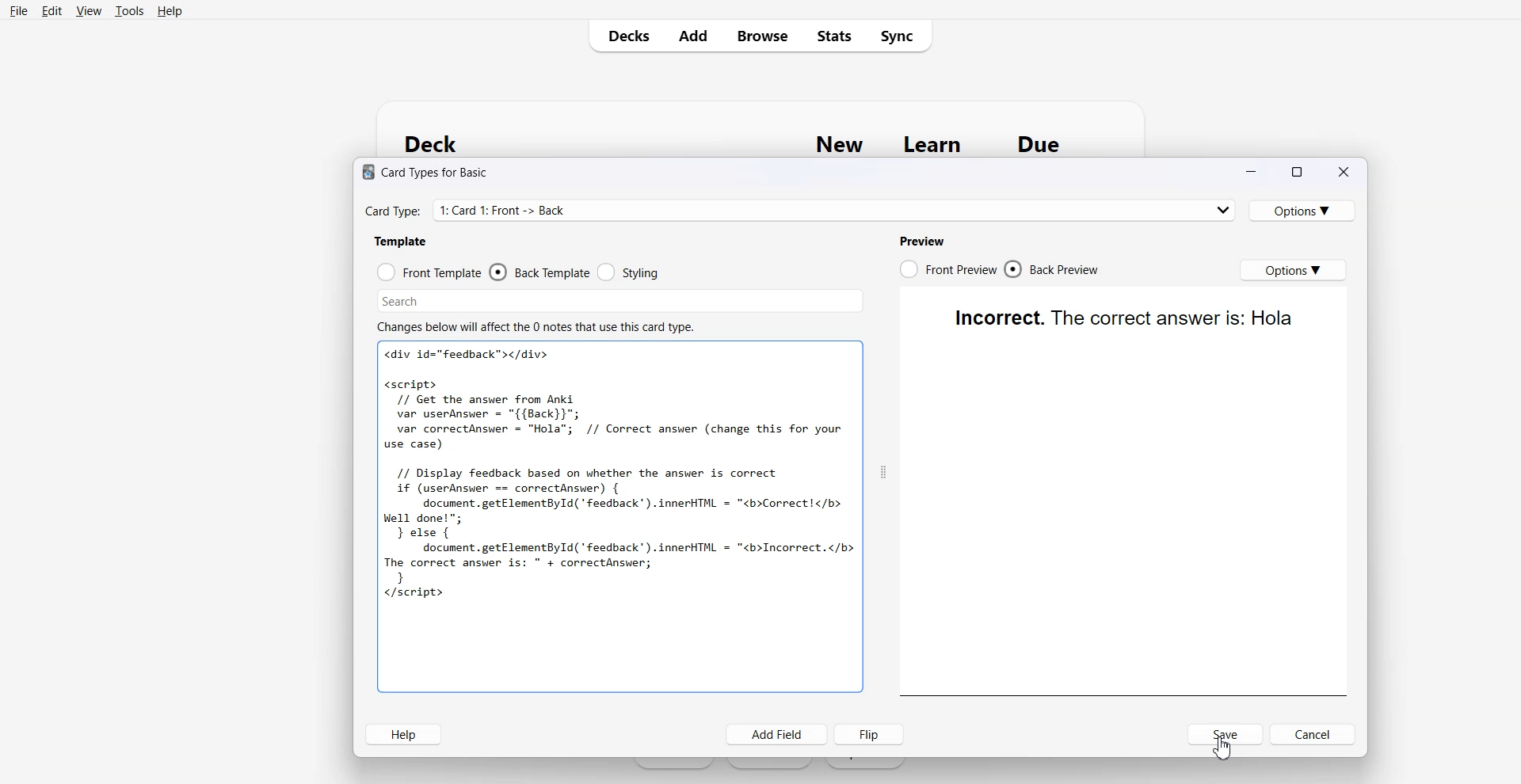  I want to click on New, so click(840, 144).